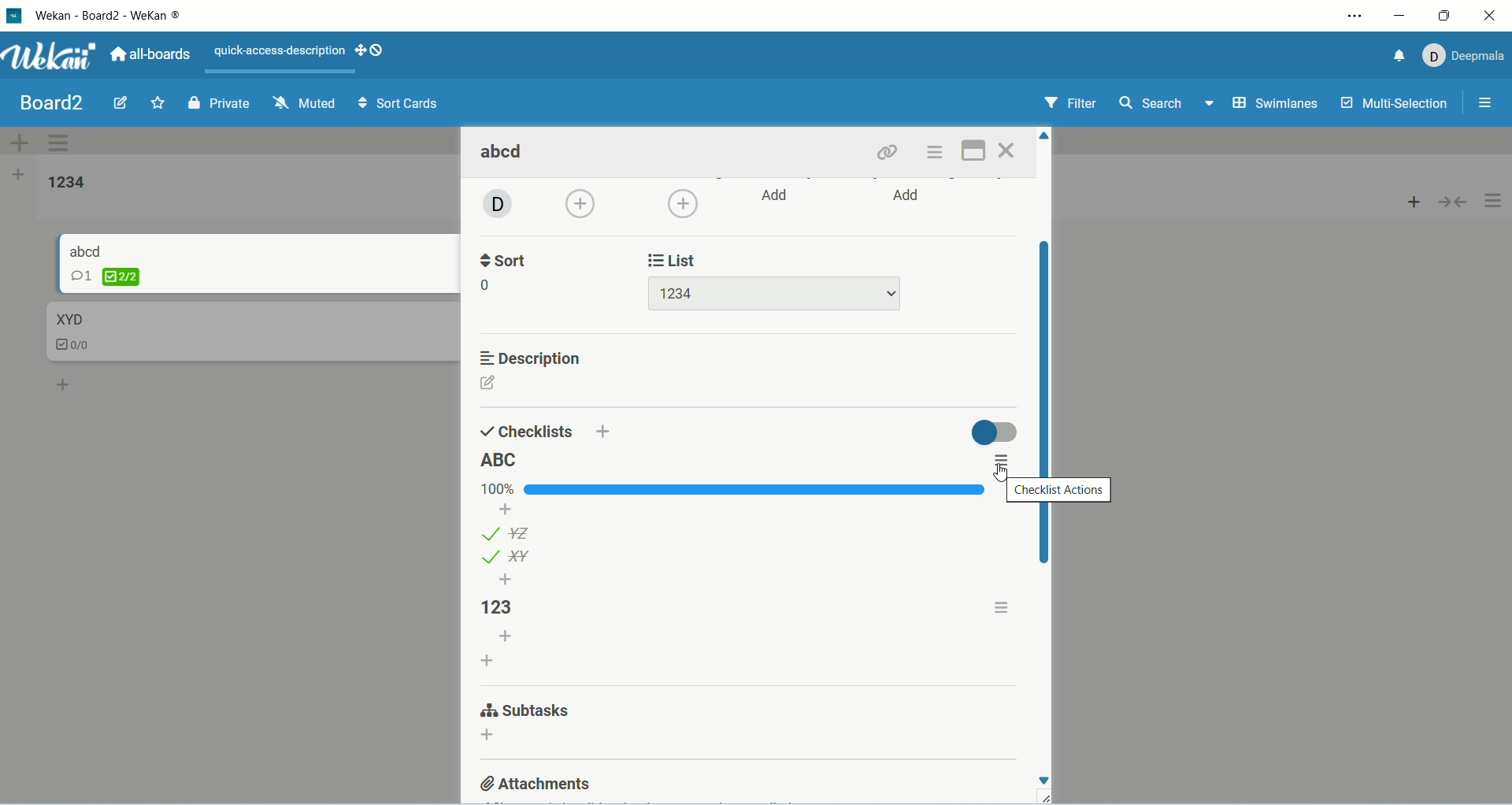 Image resolution: width=1512 pixels, height=805 pixels. Describe the element at coordinates (20, 175) in the screenshot. I see `add list` at that location.